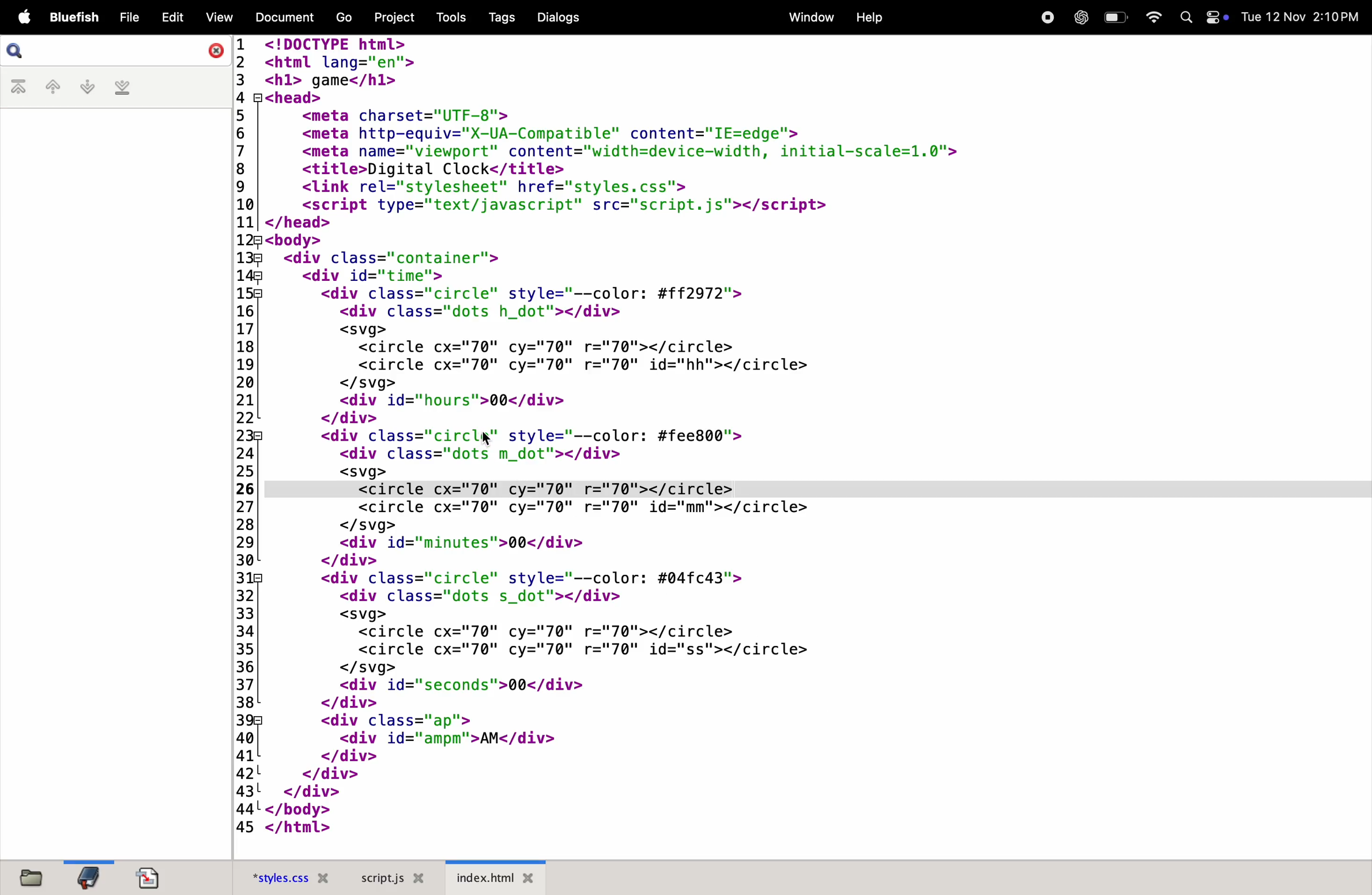 The width and height of the screenshot is (1372, 895). Describe the element at coordinates (496, 878) in the screenshot. I see `index.html` at that location.